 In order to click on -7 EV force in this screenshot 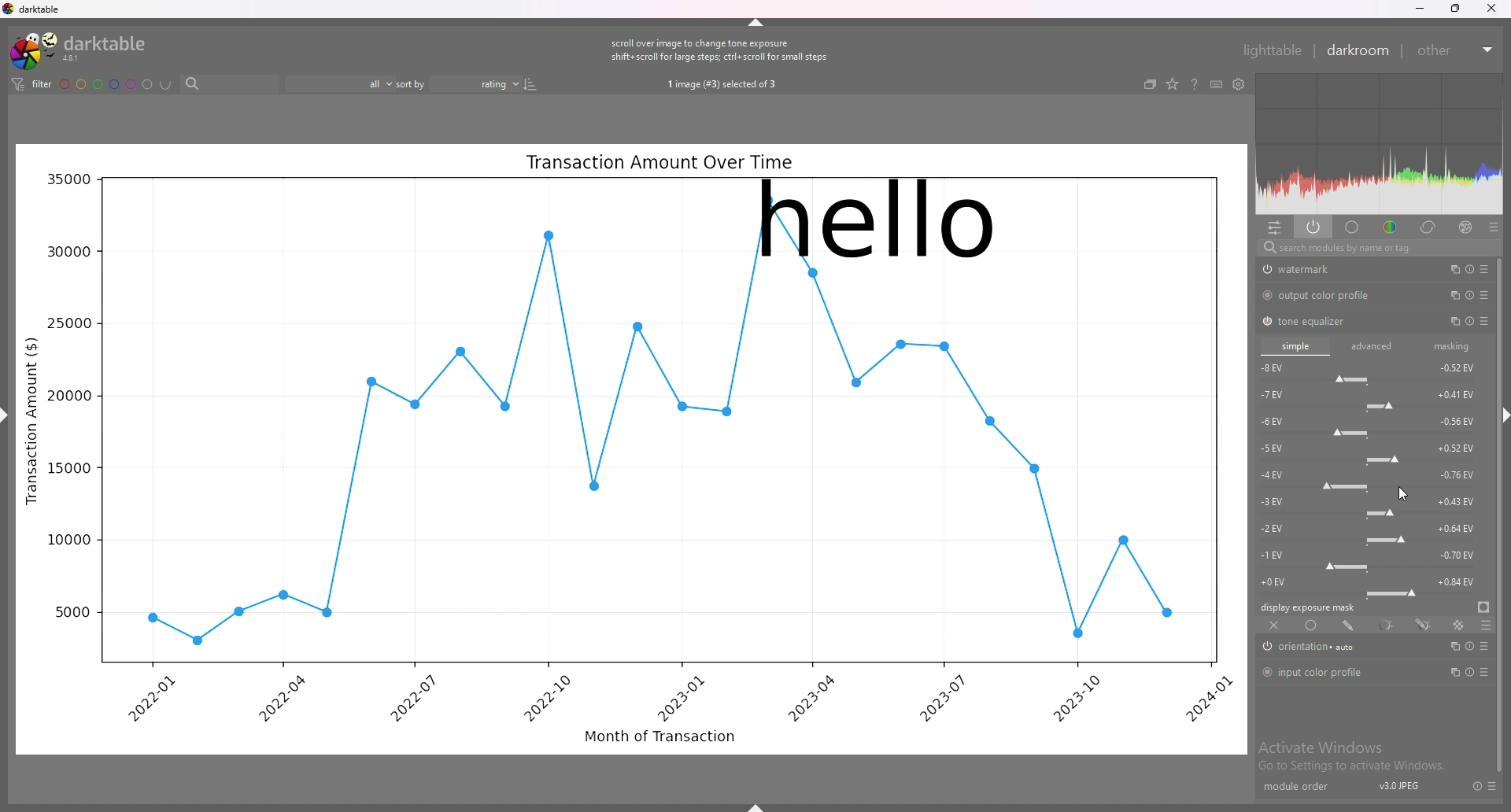, I will do `click(1369, 398)`.